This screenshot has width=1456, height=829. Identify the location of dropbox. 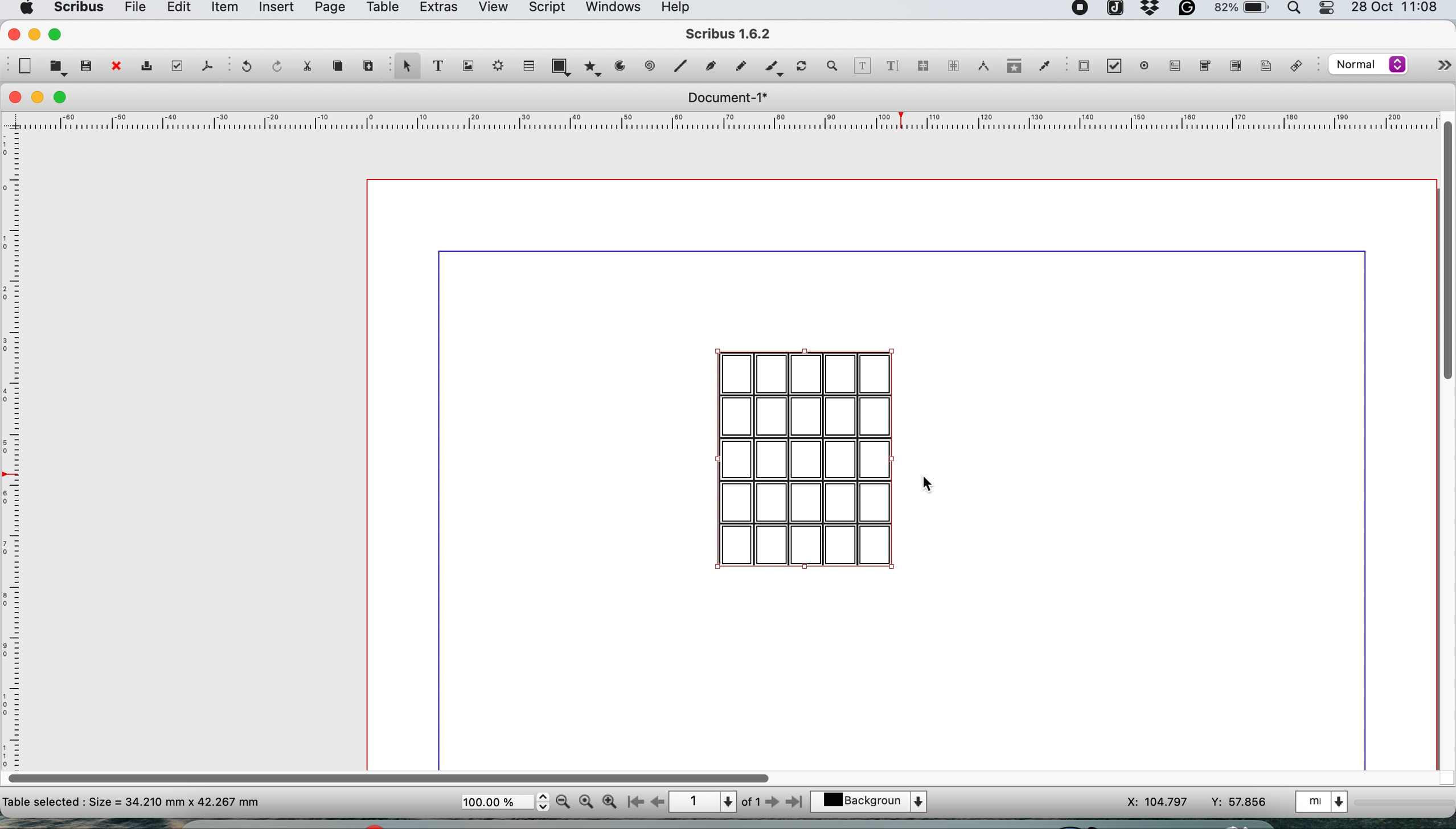
(1151, 13).